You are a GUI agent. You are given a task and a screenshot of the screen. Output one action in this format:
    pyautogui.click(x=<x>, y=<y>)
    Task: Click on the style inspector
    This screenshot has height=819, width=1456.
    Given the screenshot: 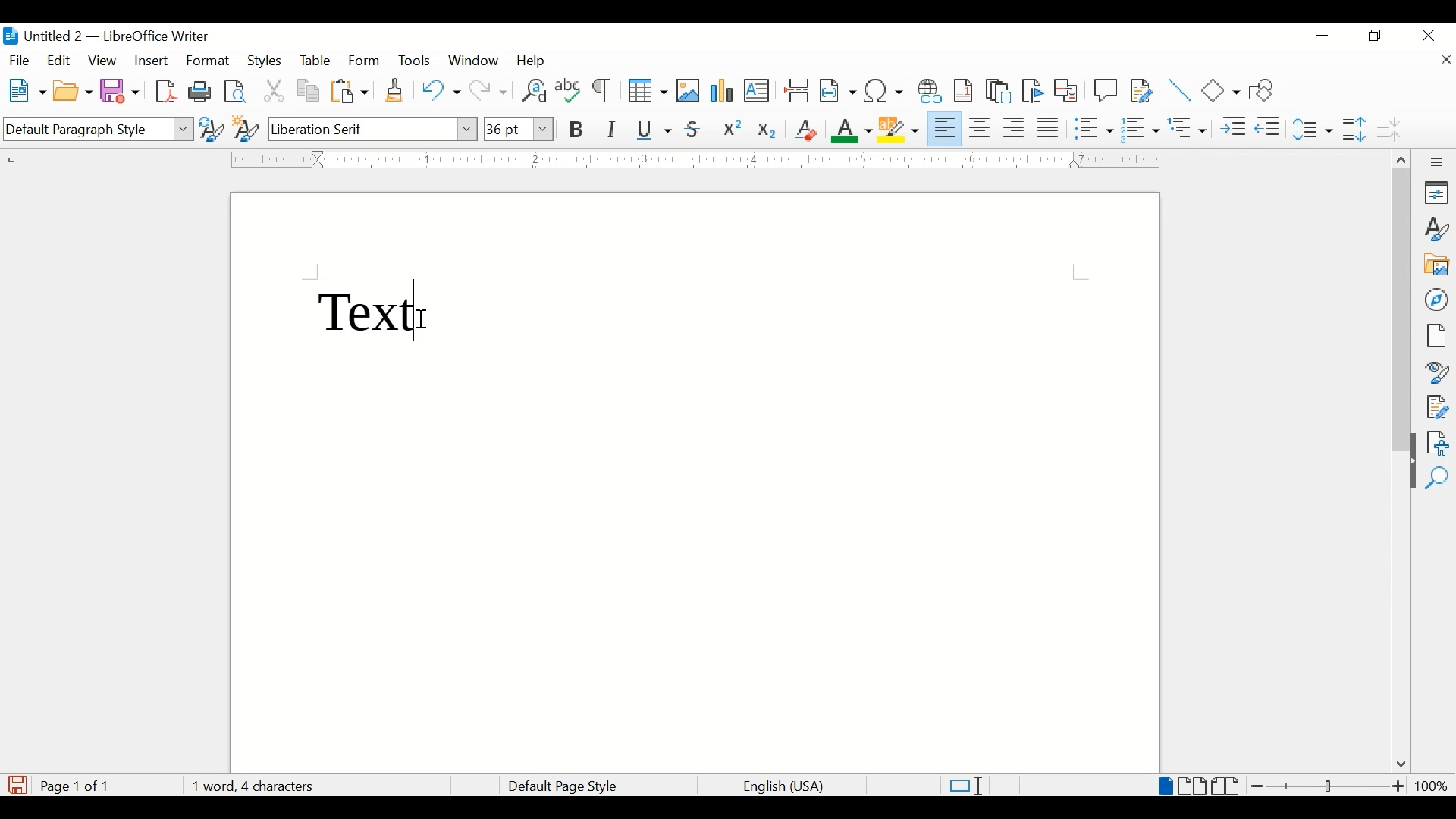 What is the action you would take?
    pyautogui.click(x=1438, y=370)
    